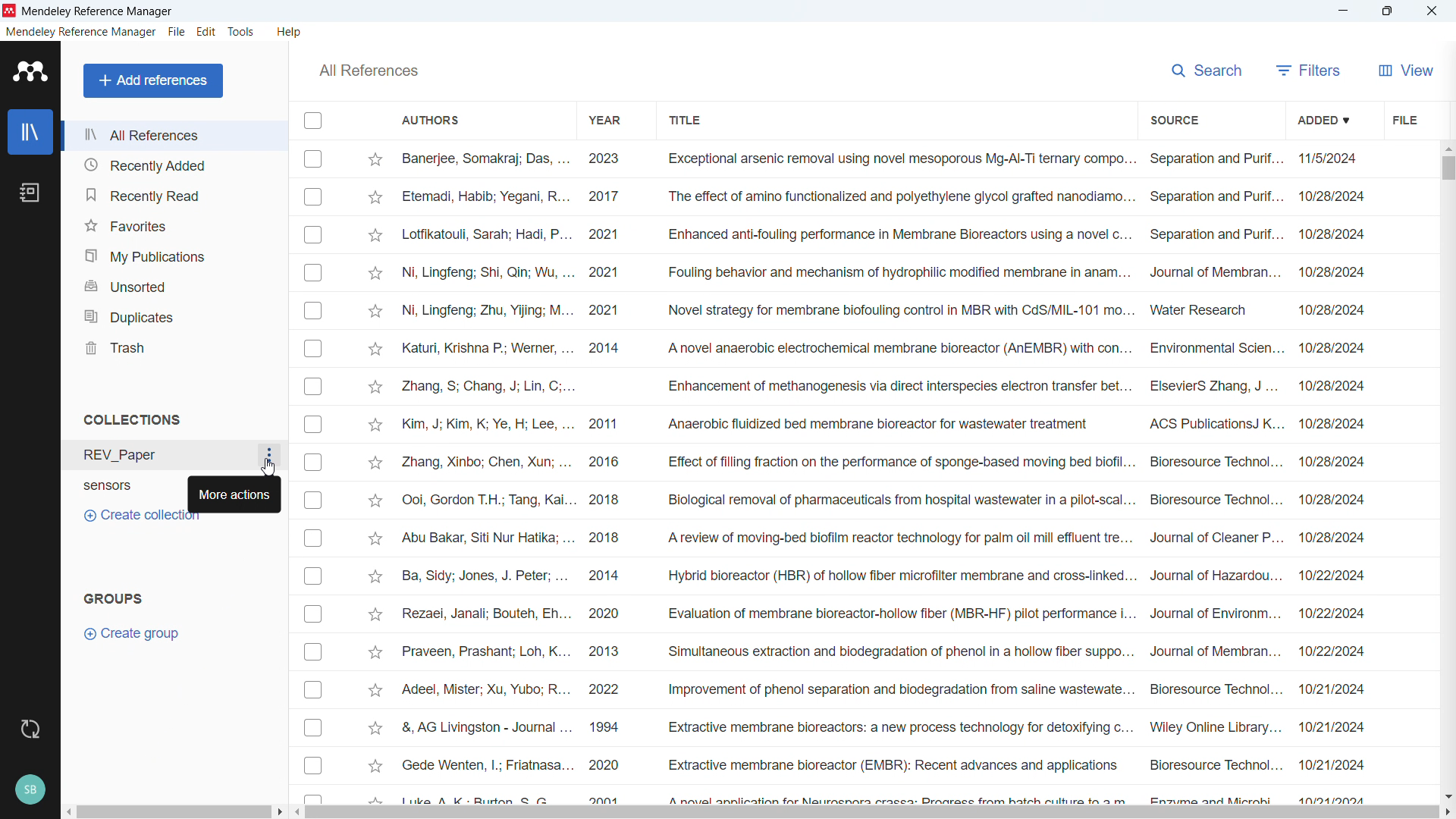 The height and width of the screenshot is (819, 1456). What do you see at coordinates (883, 499) in the screenshot?
I see `Ooi, Gordon T.H.; Tang, Kai... 2018 Biological removal of pharmaceuticals from hospital wastewater in a pilot-scal... Bioresource Technol... 10/28/2024` at bounding box center [883, 499].